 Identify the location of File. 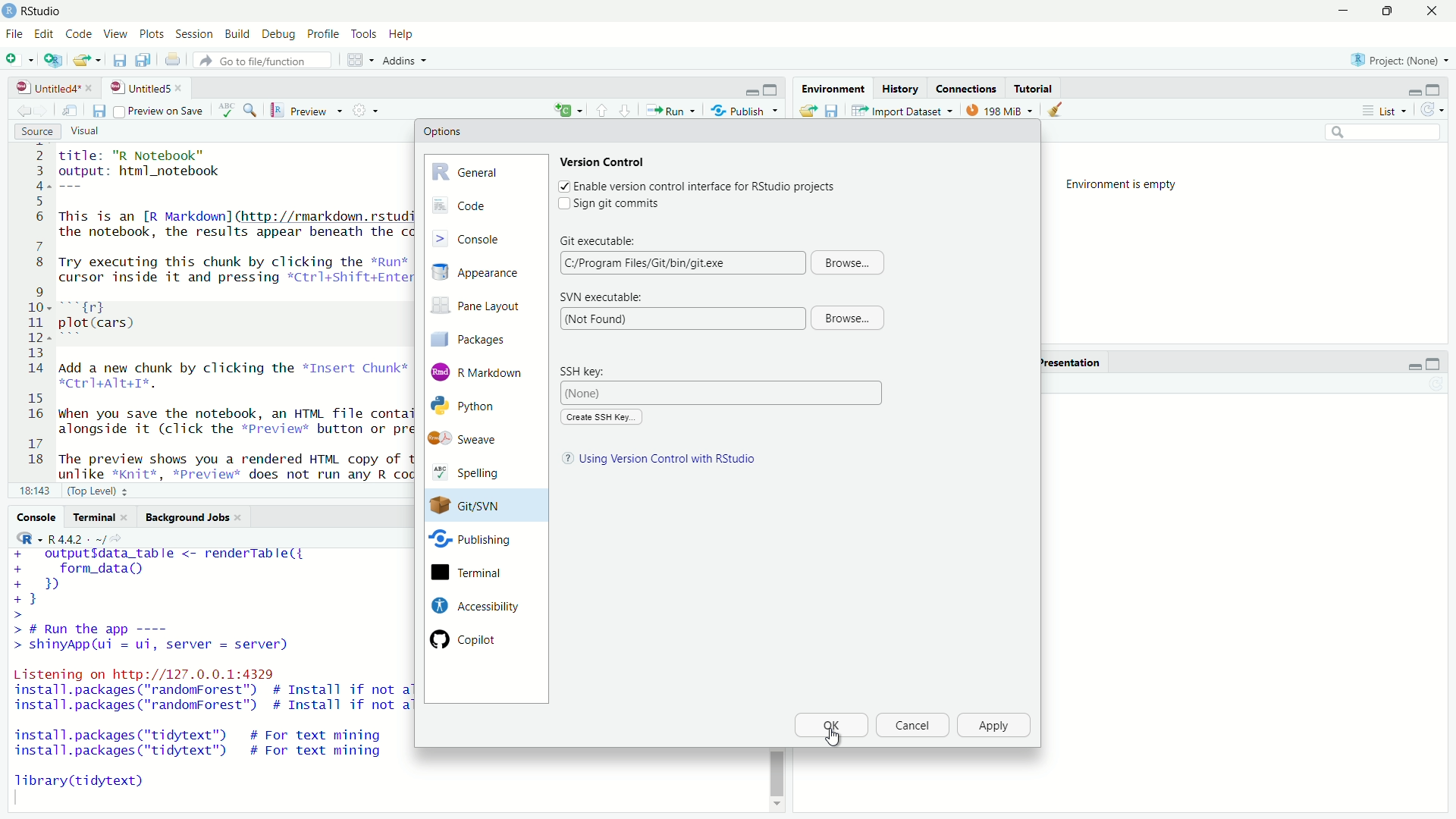
(14, 33).